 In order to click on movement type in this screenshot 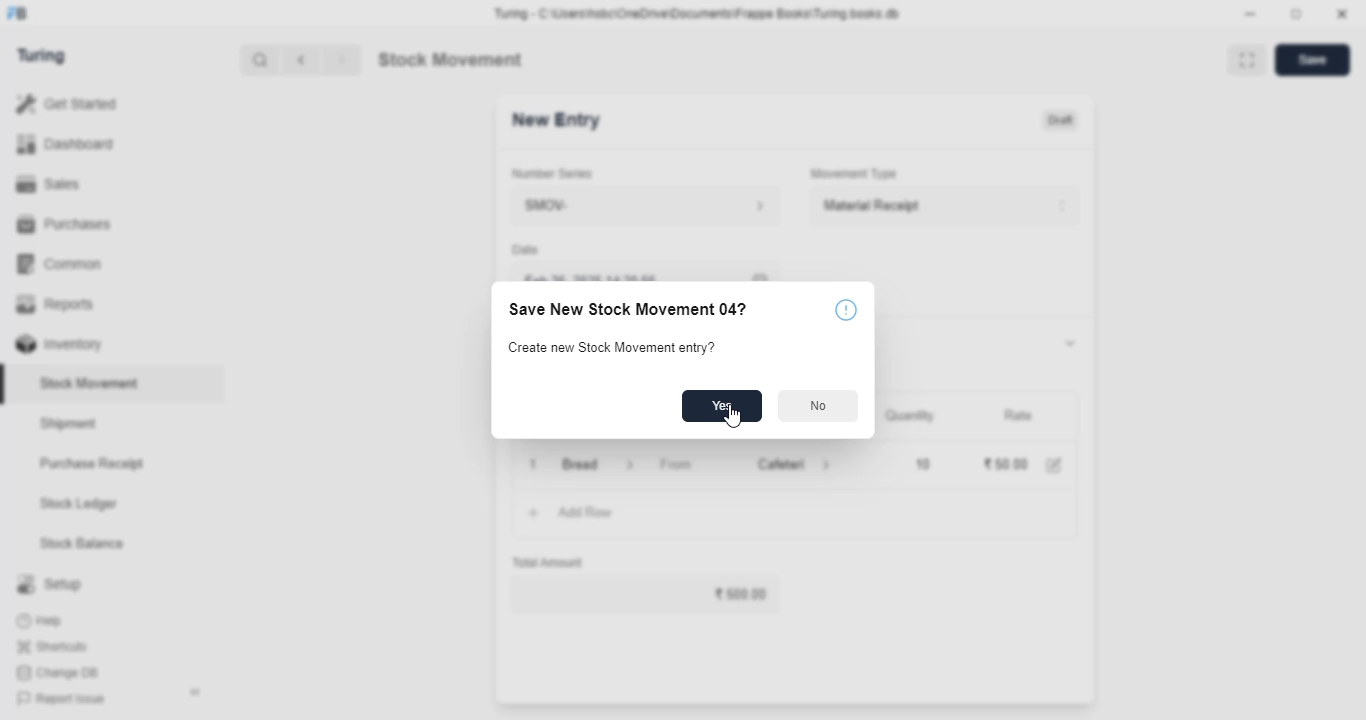, I will do `click(853, 173)`.